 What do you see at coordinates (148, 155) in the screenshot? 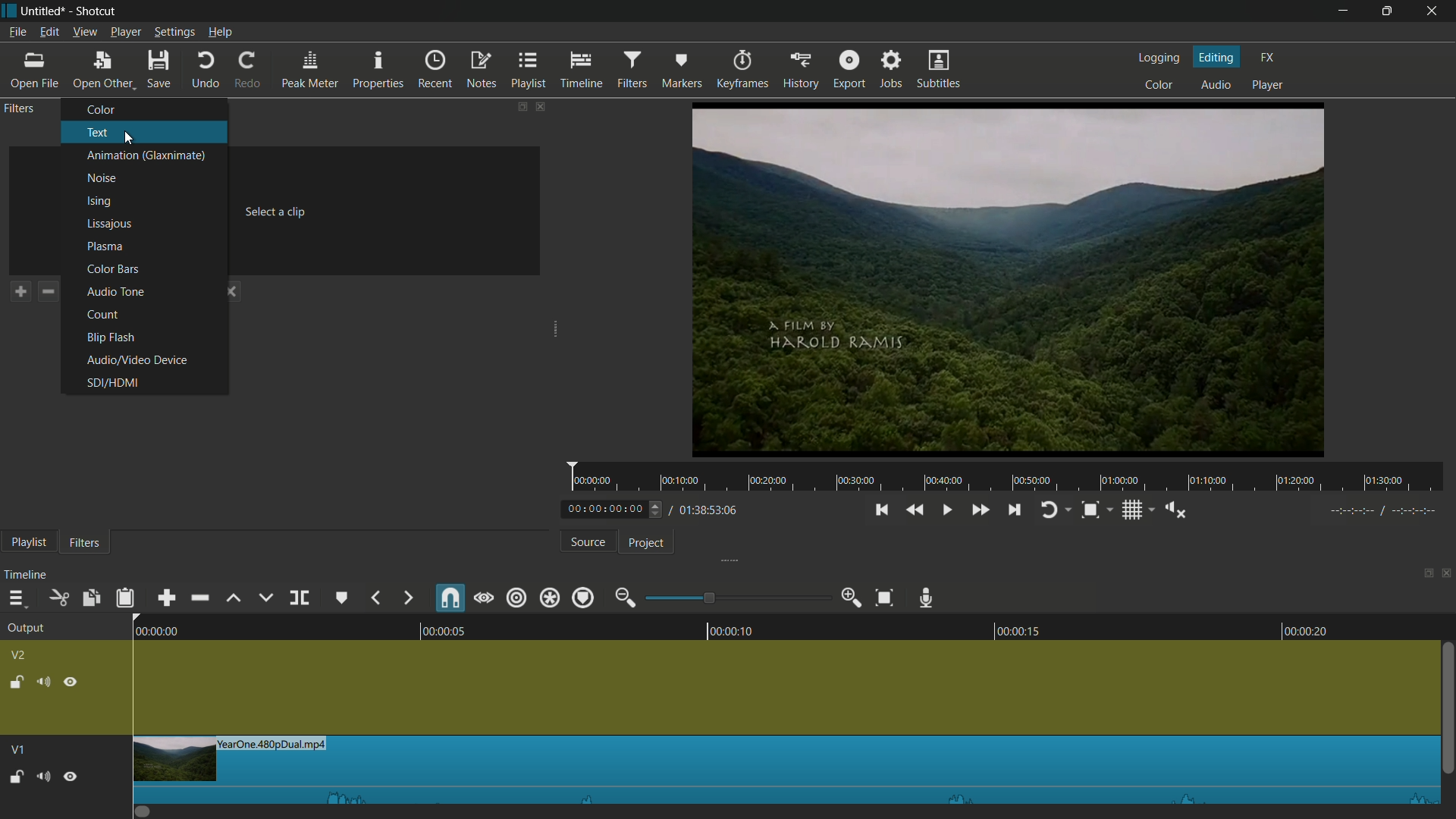
I see `Animation (Glaxnimate)` at bounding box center [148, 155].